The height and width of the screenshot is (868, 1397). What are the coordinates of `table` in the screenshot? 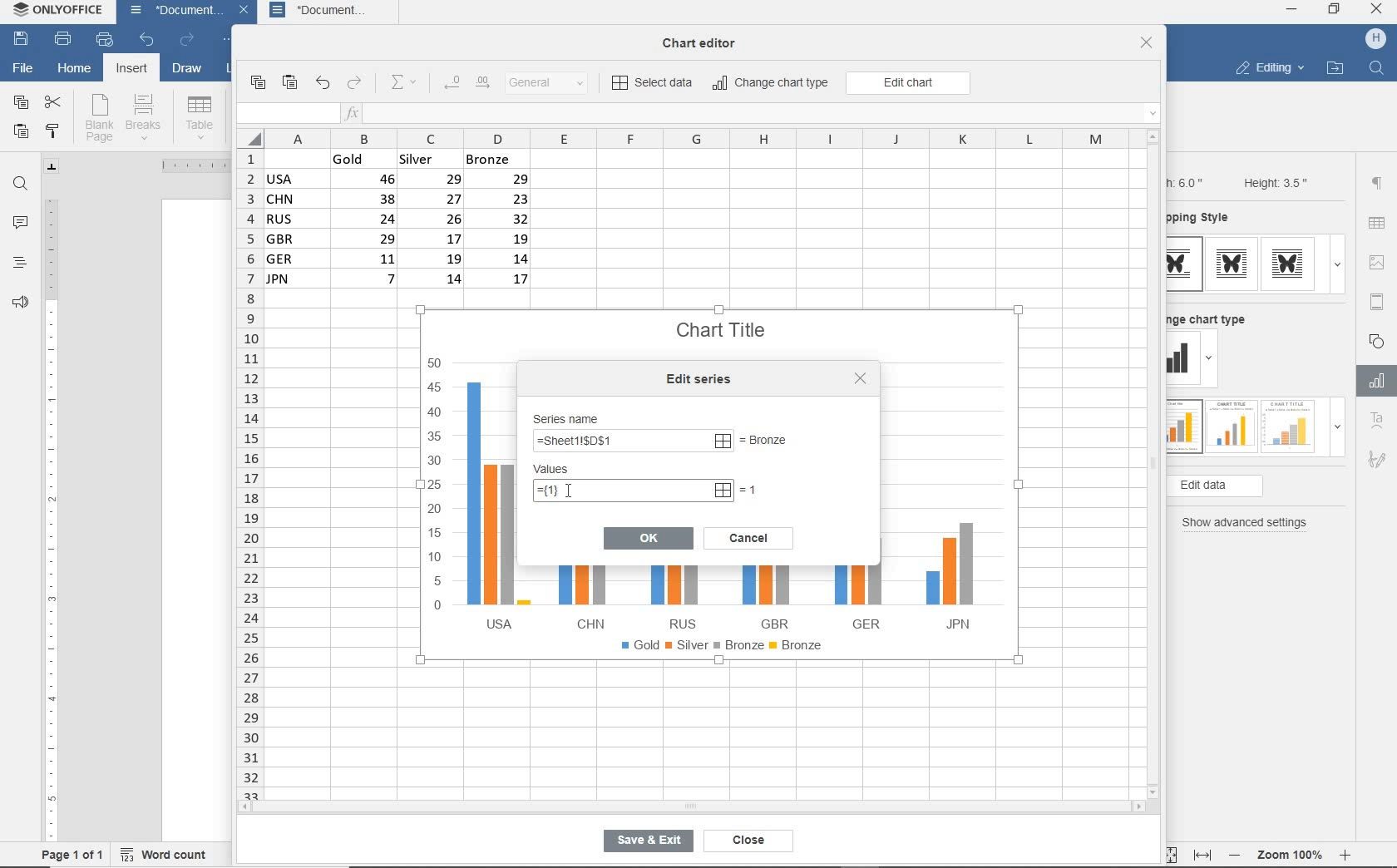 It's located at (1378, 224).